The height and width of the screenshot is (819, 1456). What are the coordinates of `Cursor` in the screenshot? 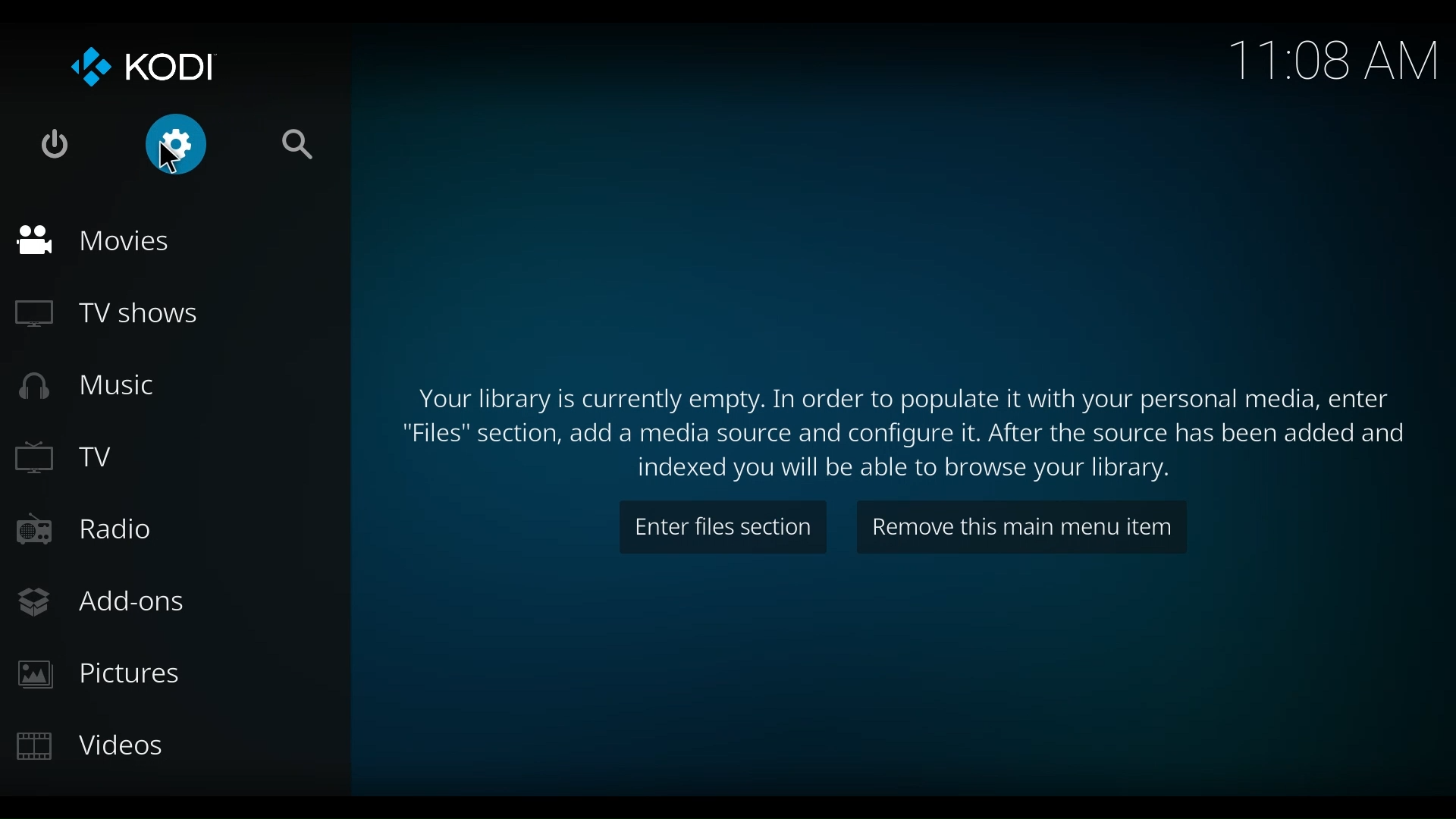 It's located at (171, 162).